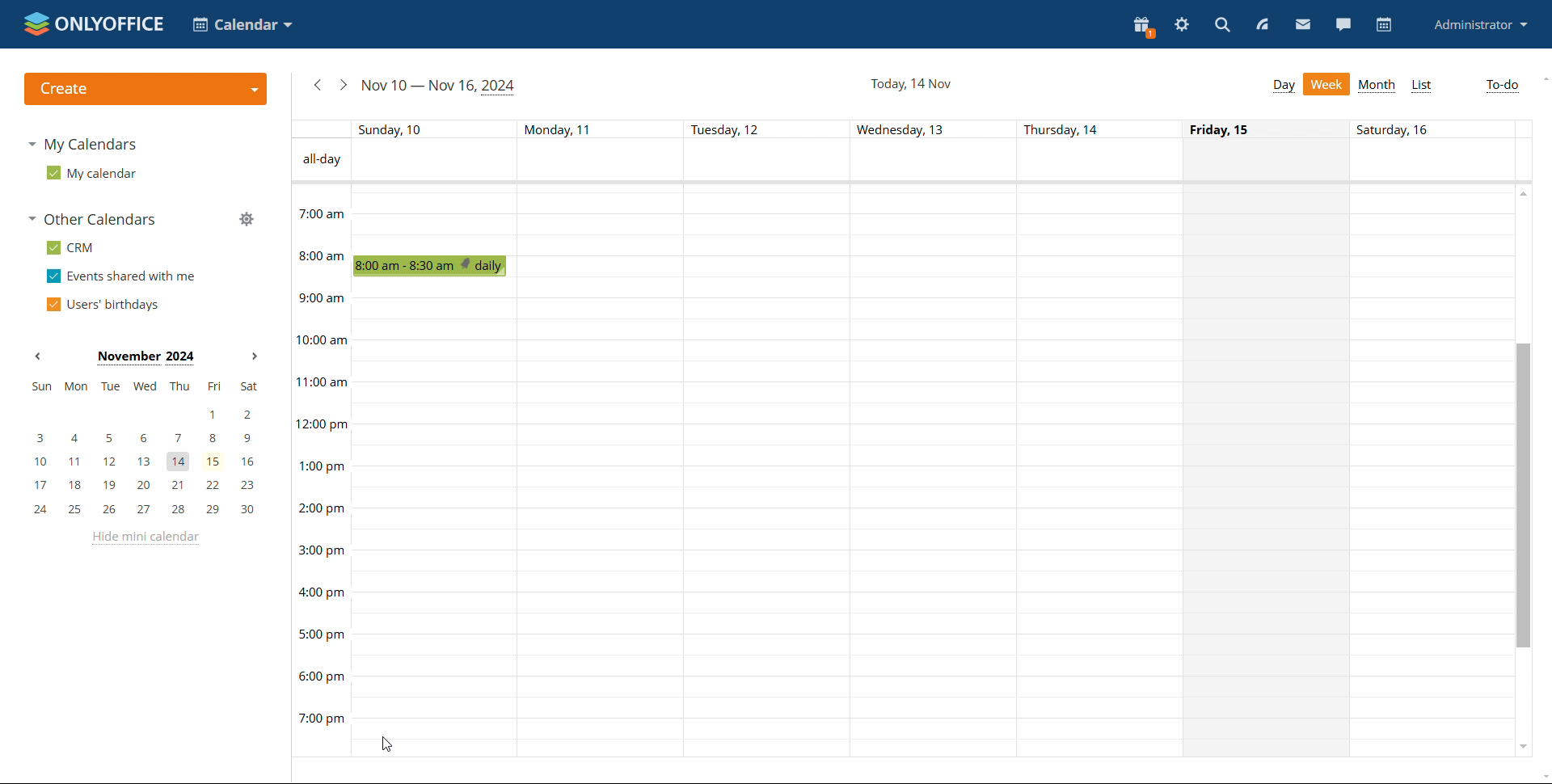  Describe the element at coordinates (1182, 25) in the screenshot. I see `settings` at that location.